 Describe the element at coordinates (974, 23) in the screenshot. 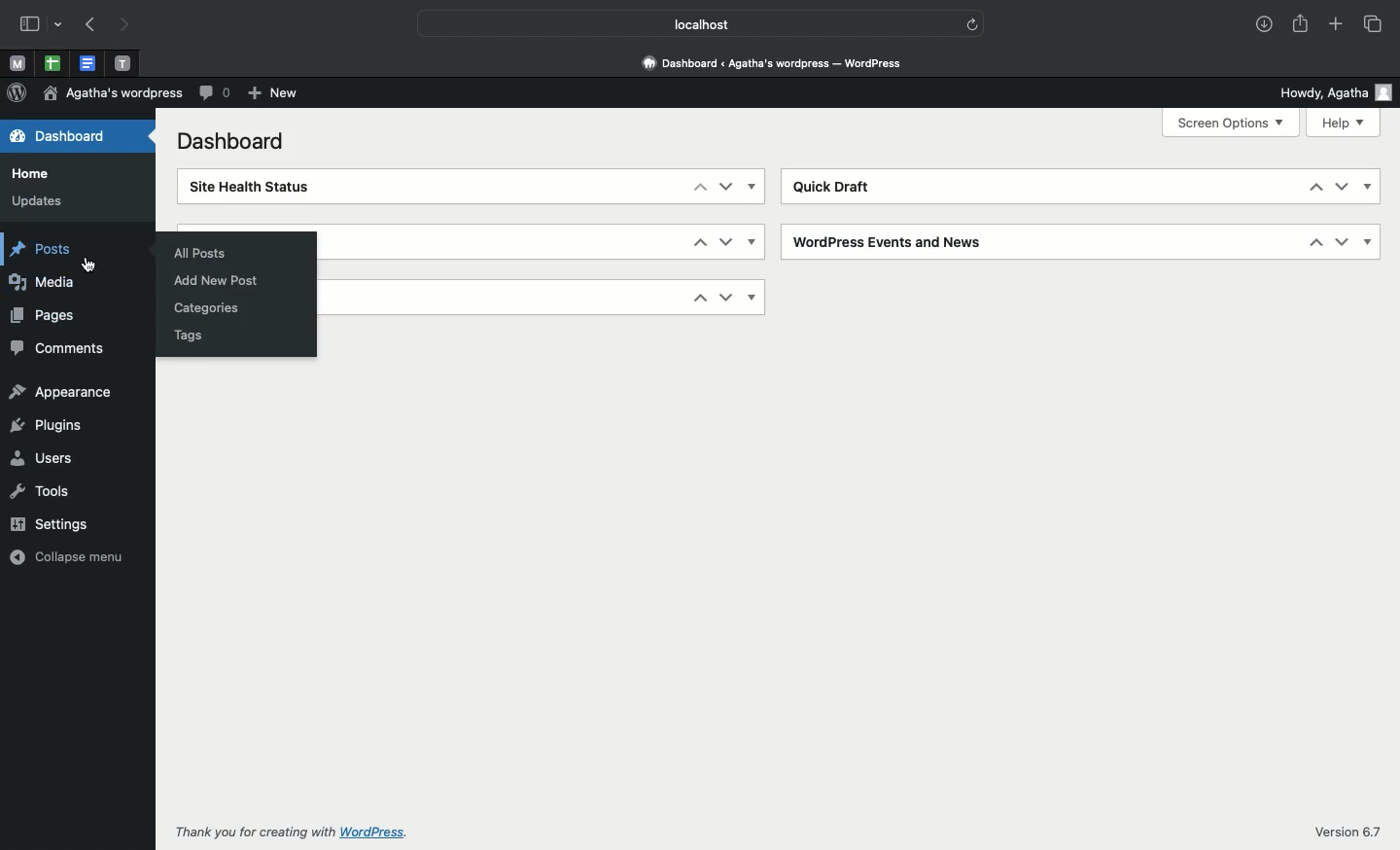

I see `refresh` at that location.